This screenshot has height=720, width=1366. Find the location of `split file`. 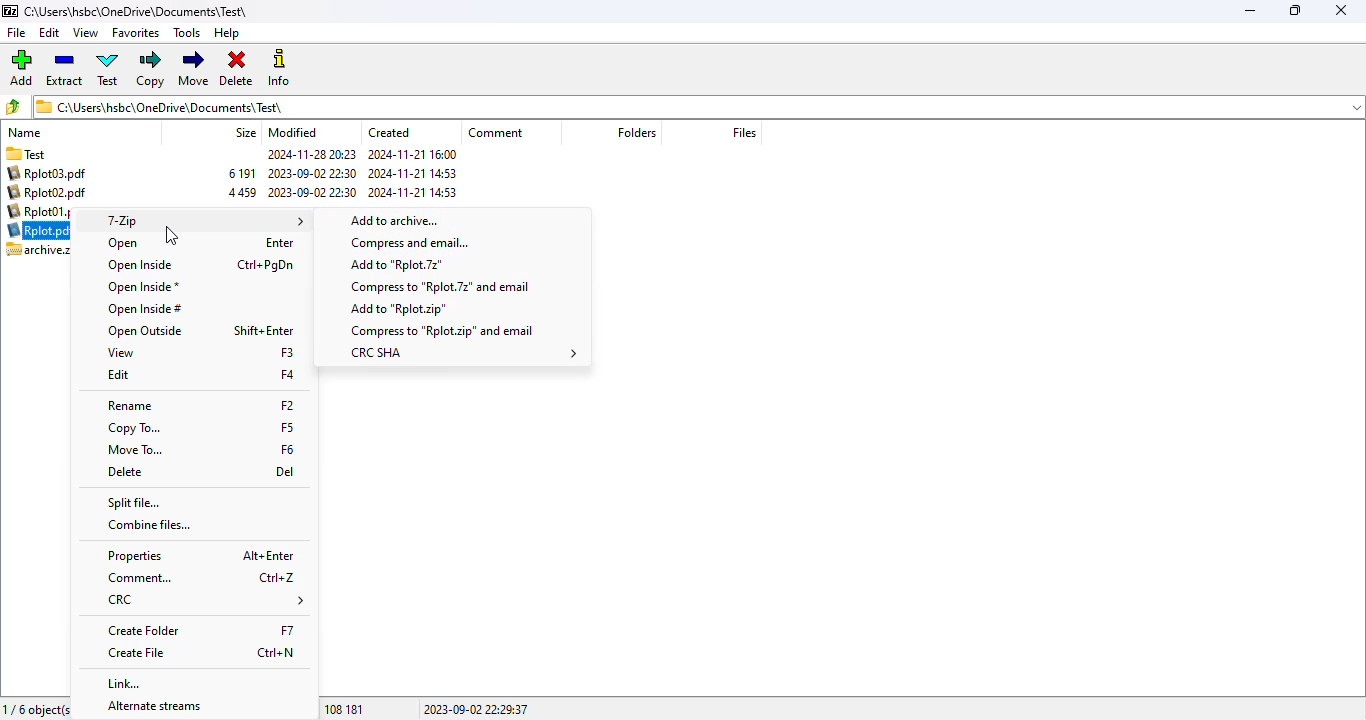

split file is located at coordinates (134, 503).